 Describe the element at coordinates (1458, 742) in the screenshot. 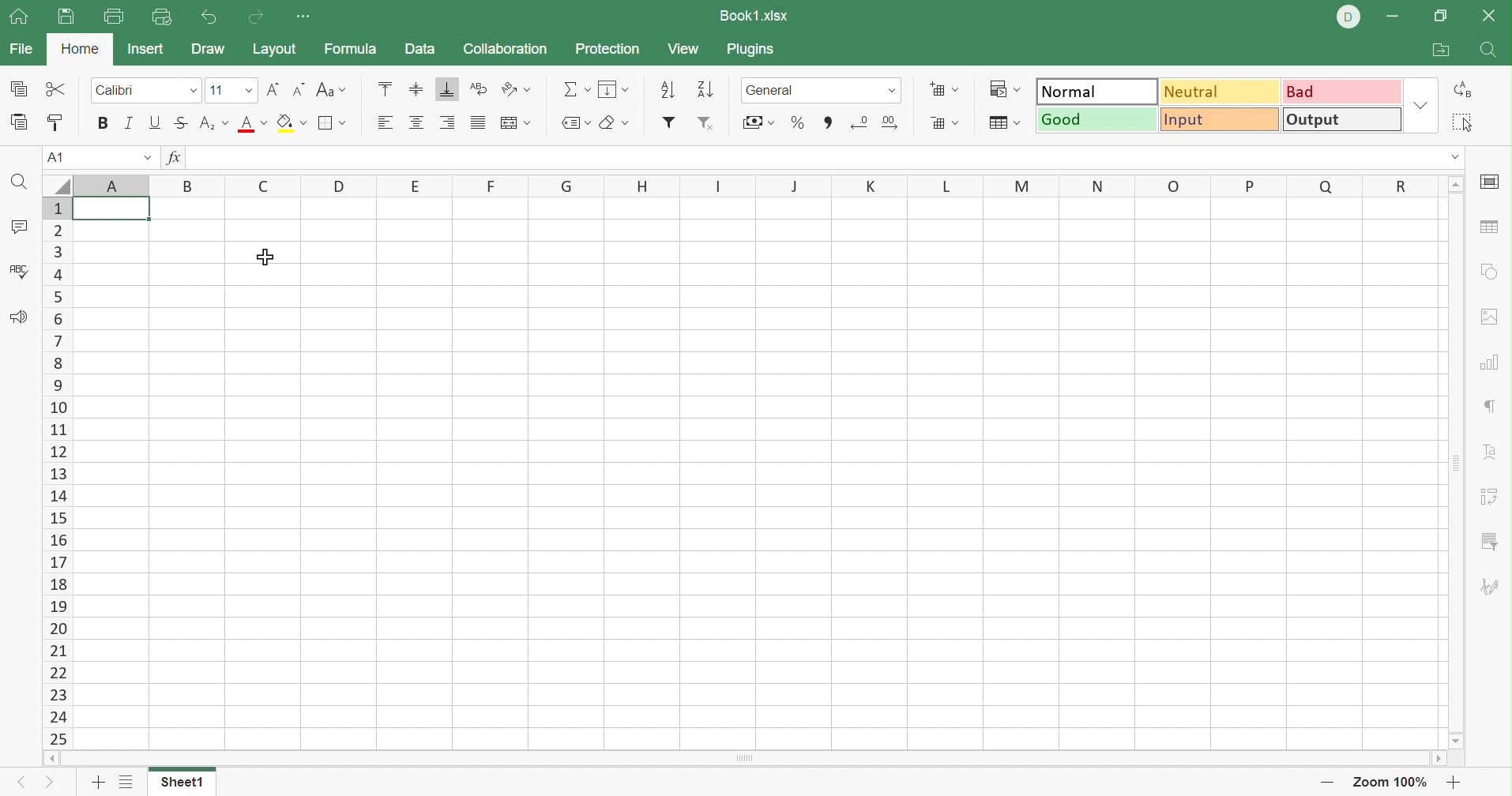

I see `Scroll down` at that location.